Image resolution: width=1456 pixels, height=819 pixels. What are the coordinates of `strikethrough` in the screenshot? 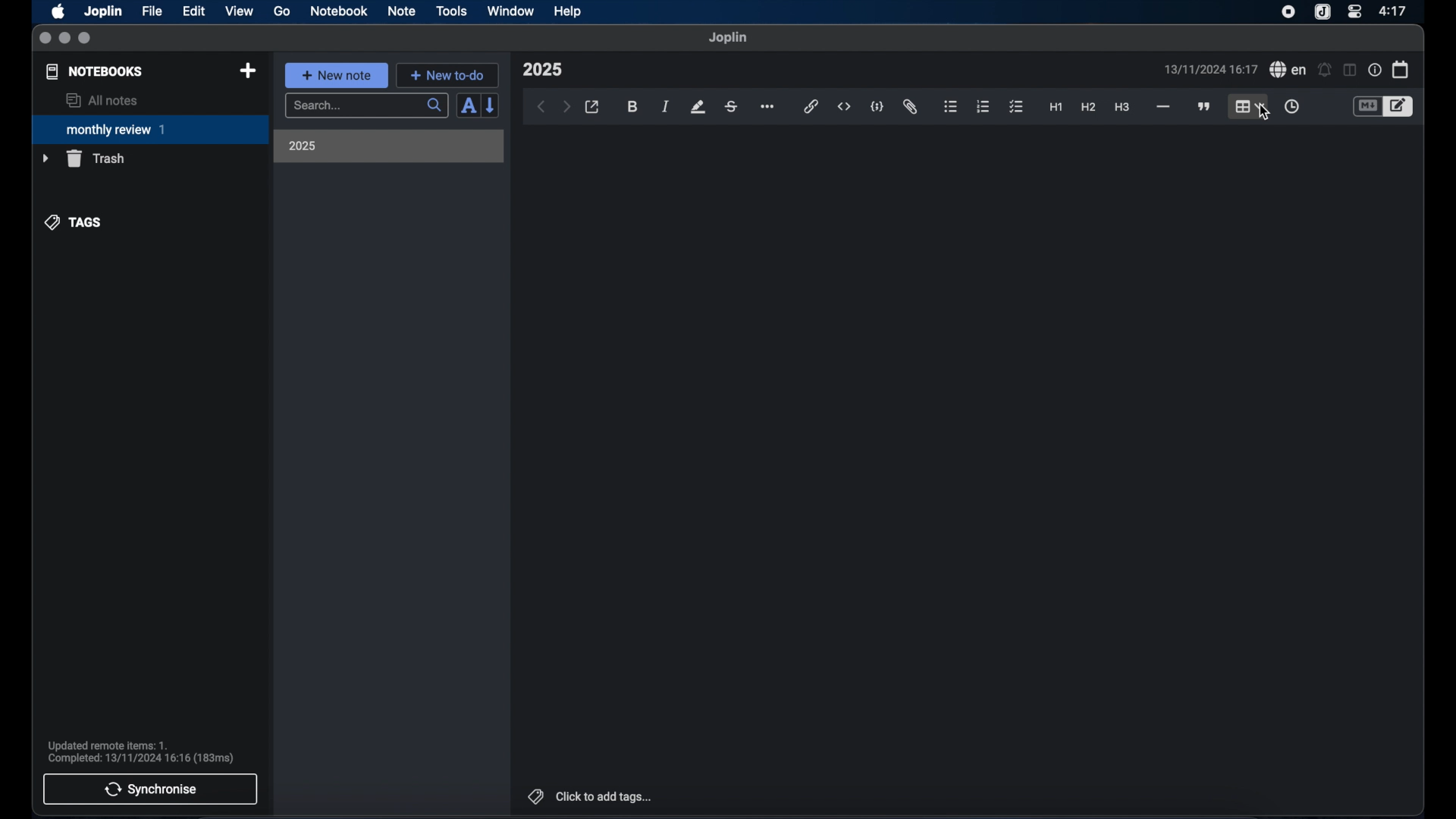 It's located at (730, 107).